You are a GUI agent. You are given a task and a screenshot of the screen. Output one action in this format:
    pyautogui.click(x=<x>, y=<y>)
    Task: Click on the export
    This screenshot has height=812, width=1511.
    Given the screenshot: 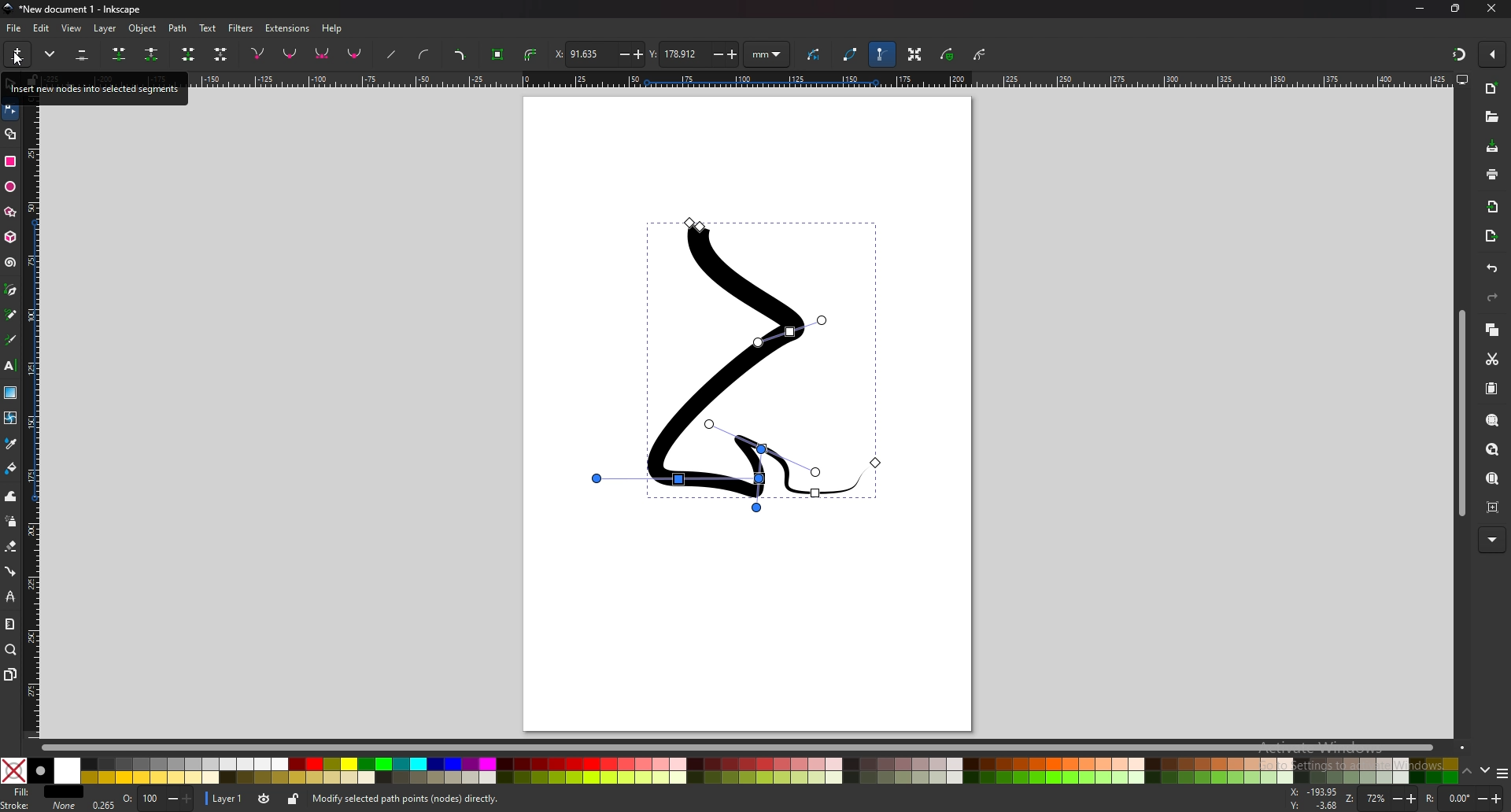 What is the action you would take?
    pyautogui.click(x=1491, y=235)
    